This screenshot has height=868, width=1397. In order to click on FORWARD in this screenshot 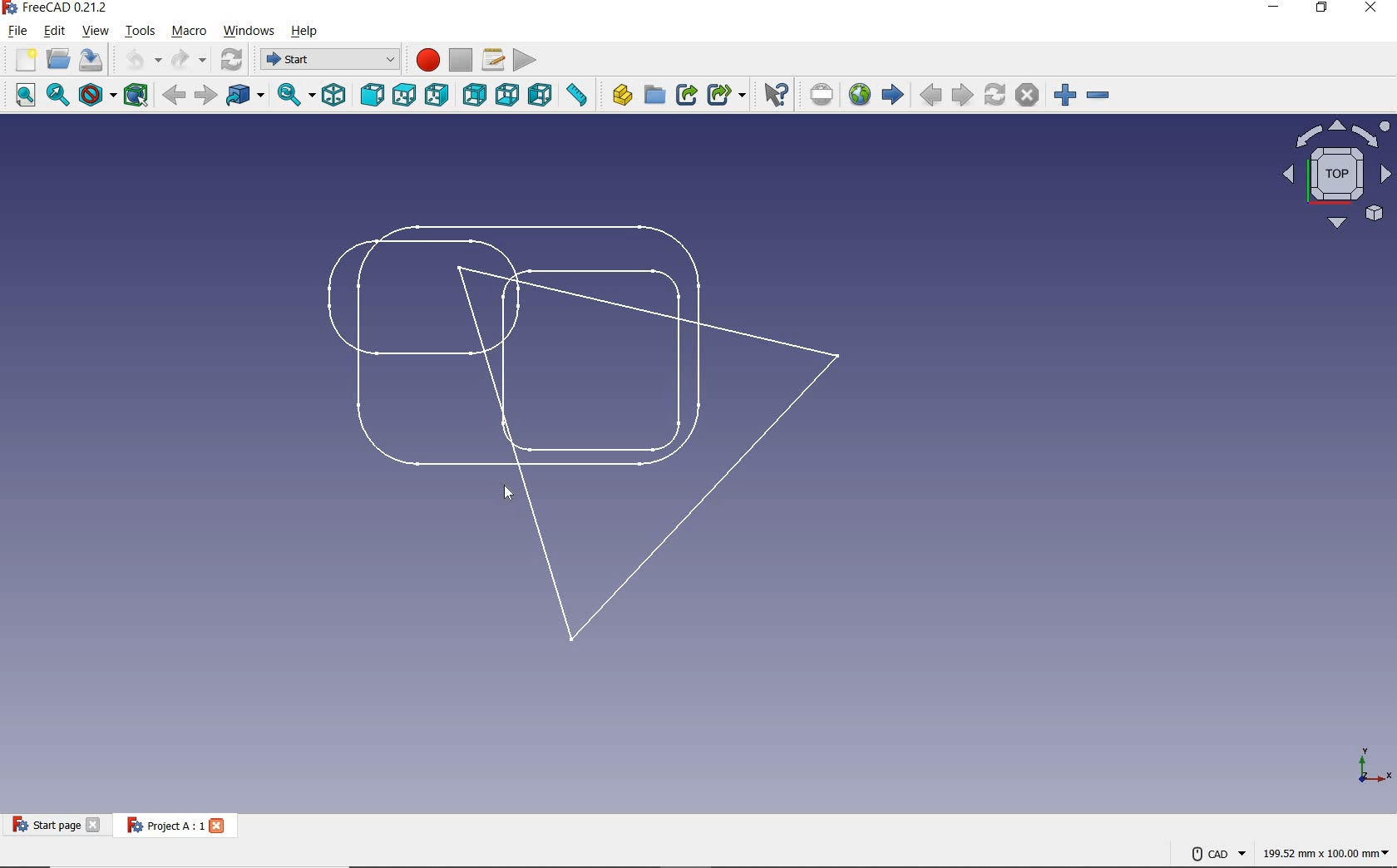, I will do `click(204, 94)`.